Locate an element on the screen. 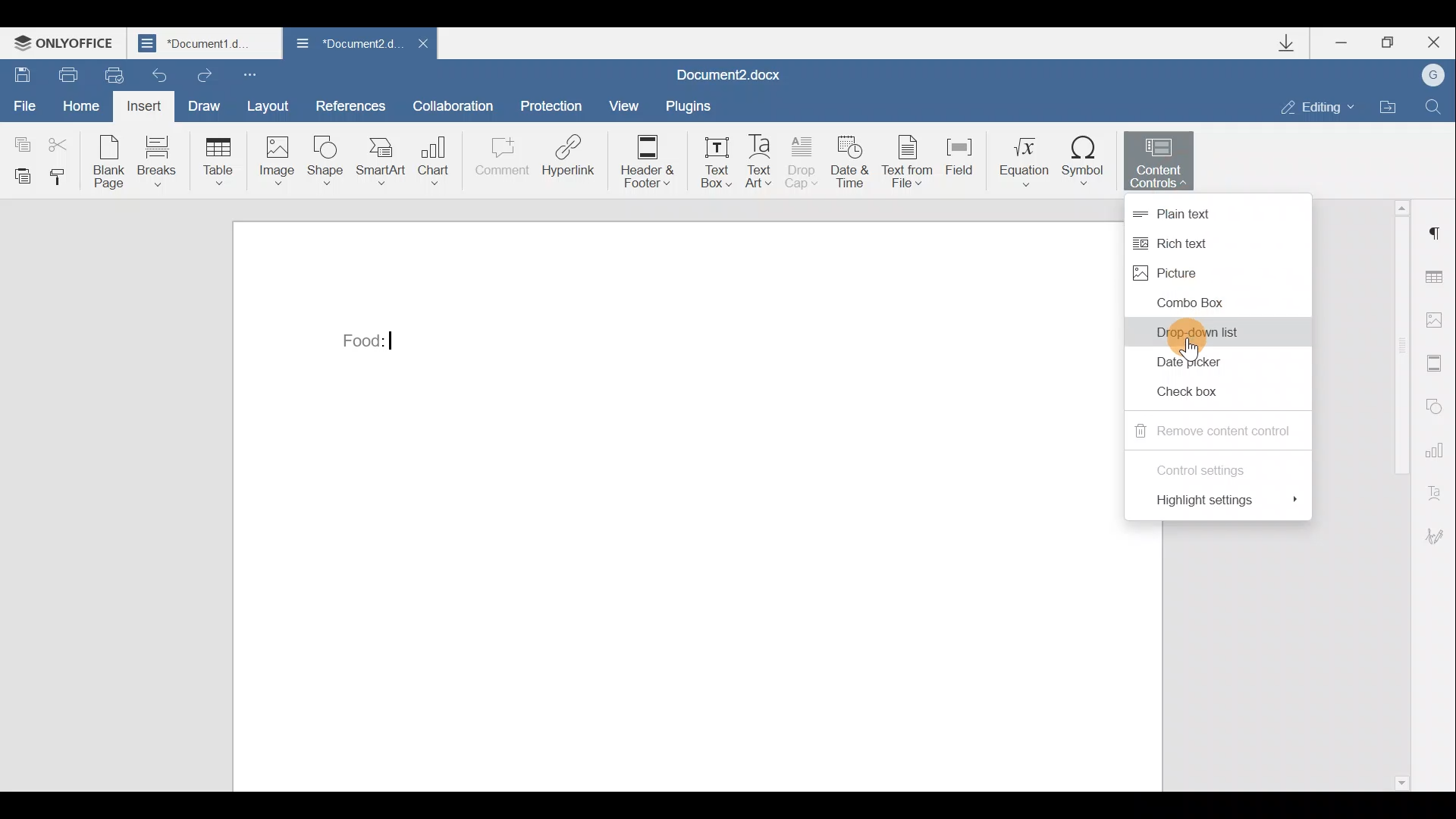  Collaboration is located at coordinates (459, 105).